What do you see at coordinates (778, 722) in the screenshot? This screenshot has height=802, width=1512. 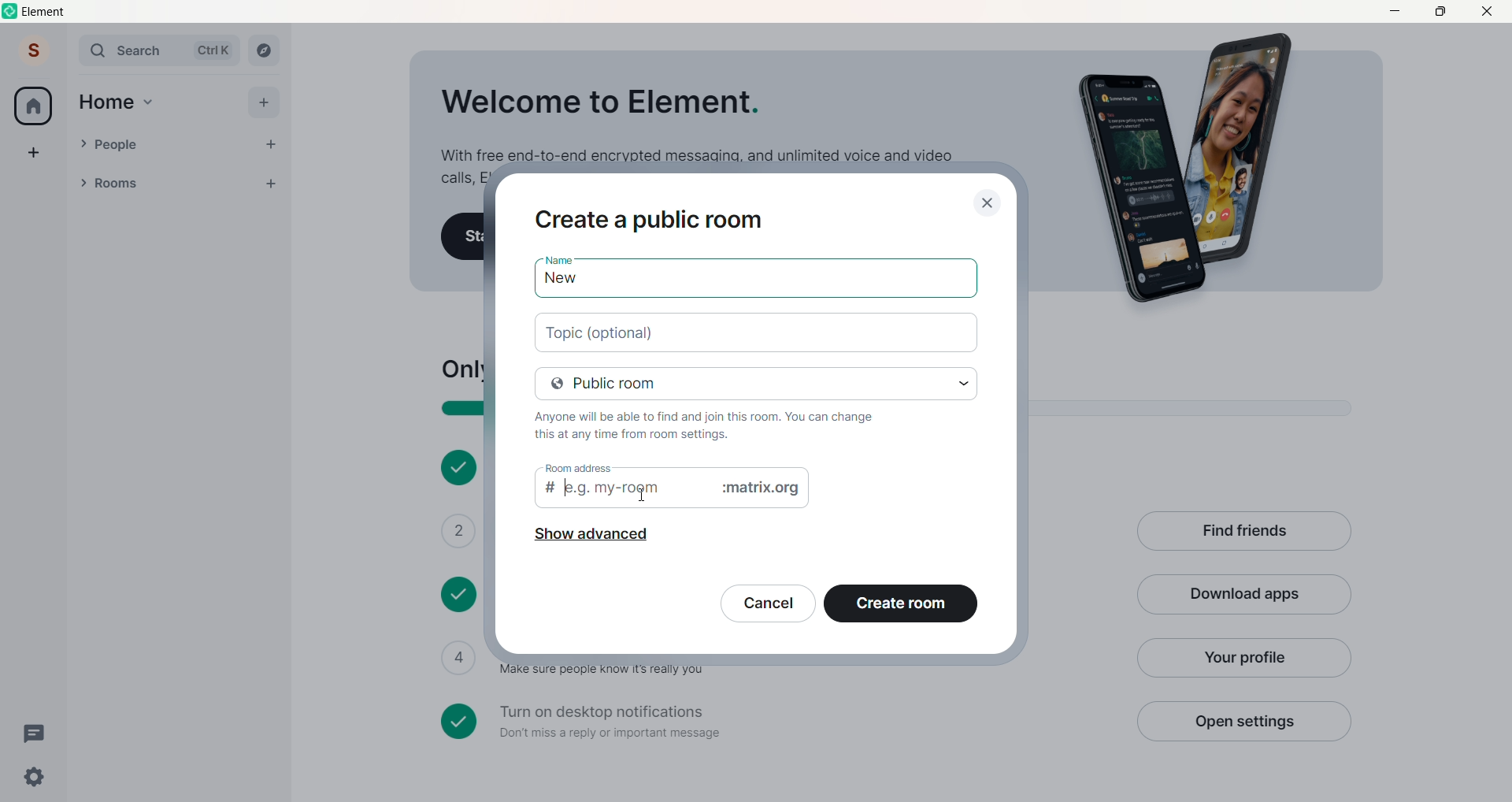 I see `Turn on desktop notifications
Don't miss a reply or important message` at bounding box center [778, 722].